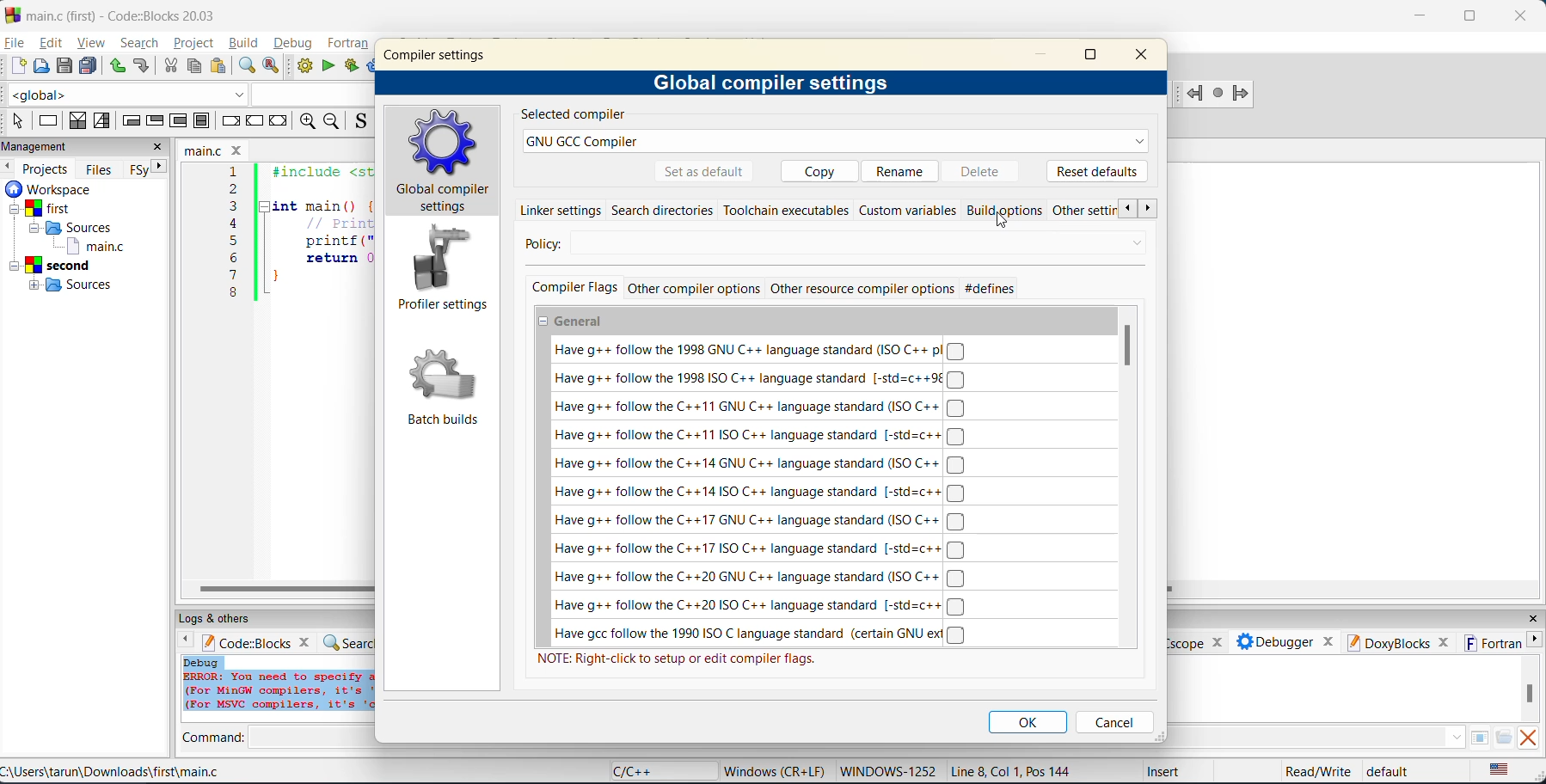 The width and height of the screenshot is (1546, 784). What do you see at coordinates (359, 123) in the screenshot?
I see `toggle source` at bounding box center [359, 123].